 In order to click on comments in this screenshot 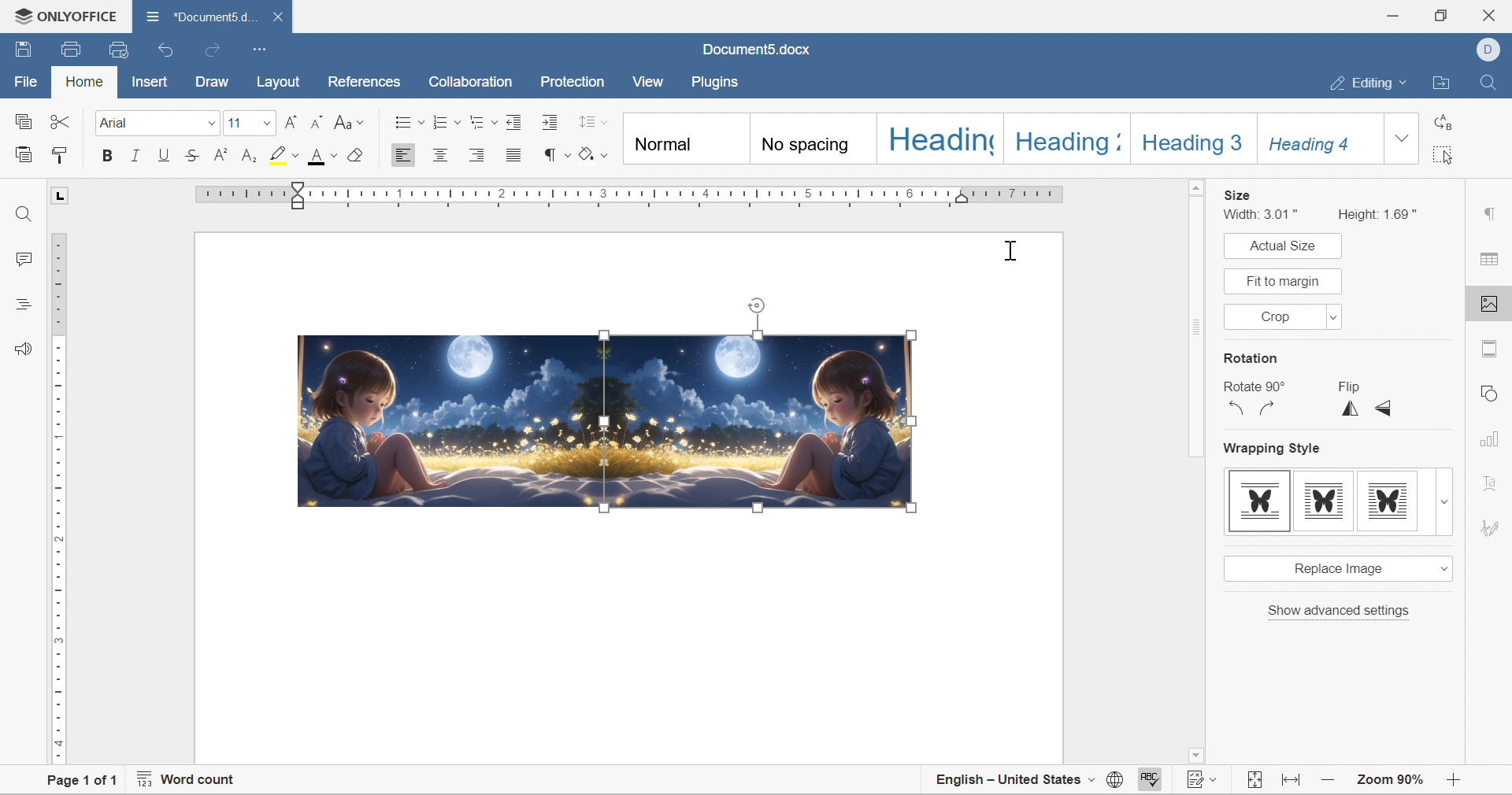, I will do `click(24, 258)`.